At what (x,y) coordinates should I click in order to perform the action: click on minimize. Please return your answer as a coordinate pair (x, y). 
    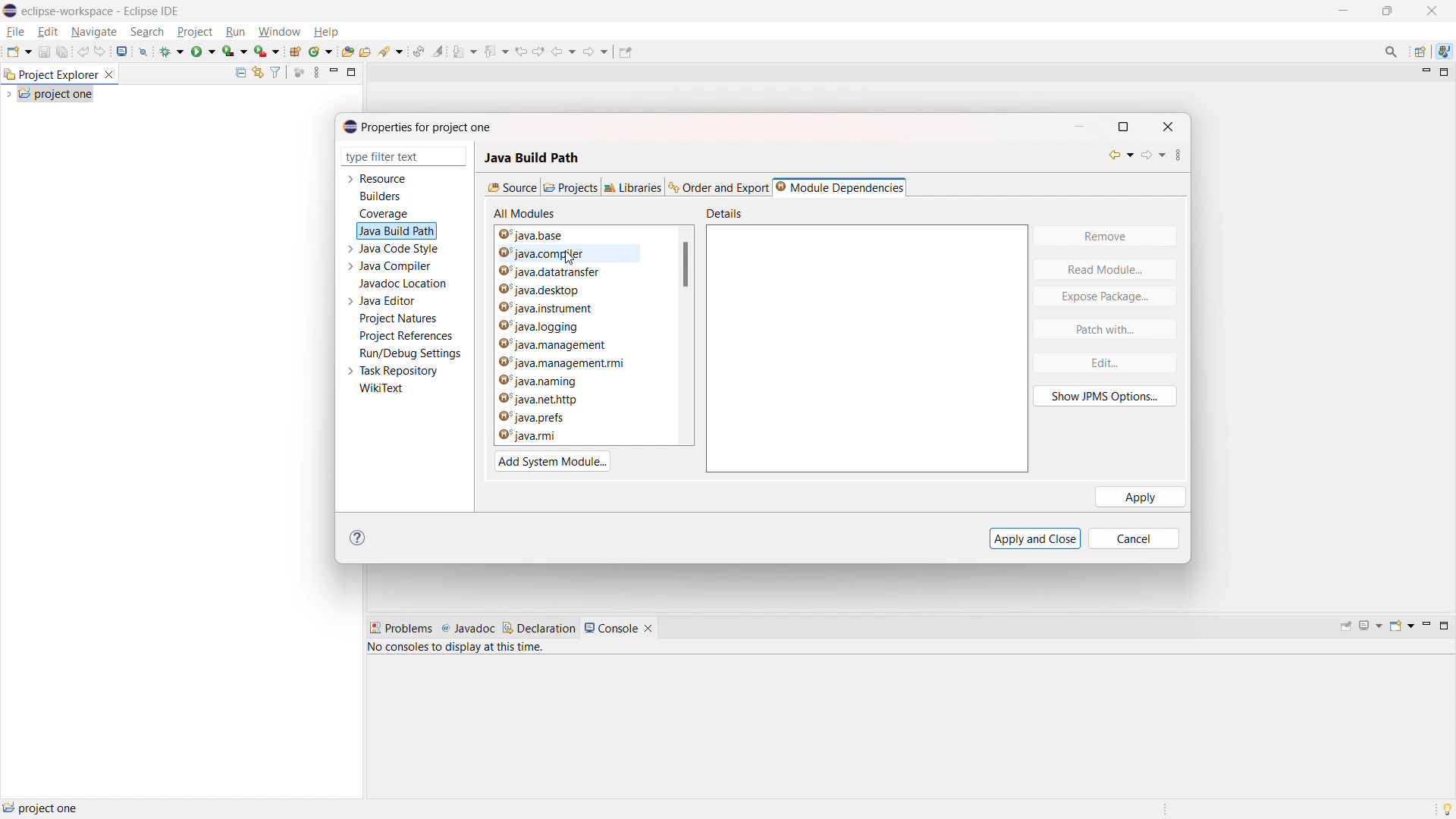
    Looking at the image, I should click on (334, 72).